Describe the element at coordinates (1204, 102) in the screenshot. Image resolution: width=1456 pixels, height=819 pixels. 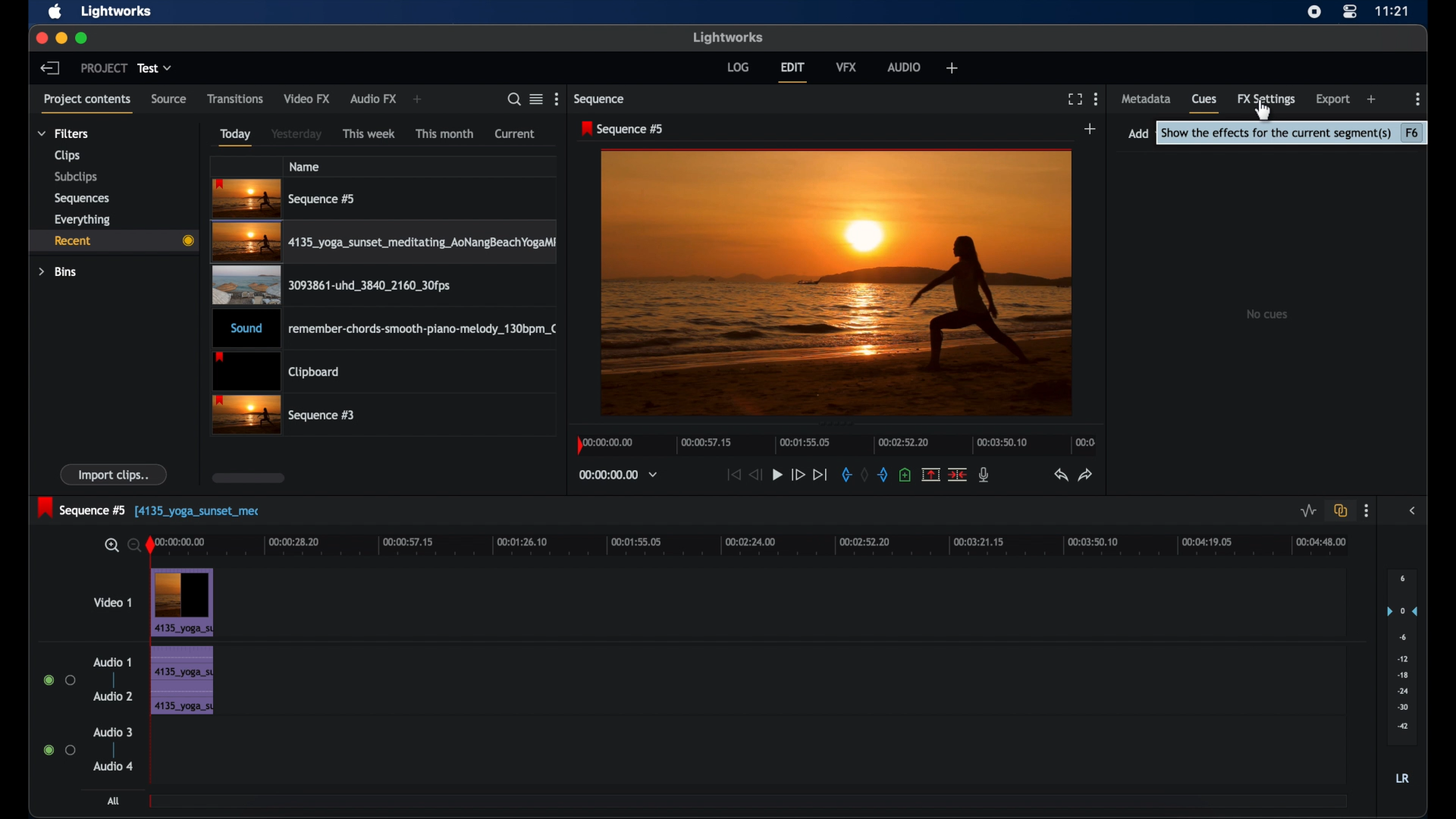
I see `cues` at that location.